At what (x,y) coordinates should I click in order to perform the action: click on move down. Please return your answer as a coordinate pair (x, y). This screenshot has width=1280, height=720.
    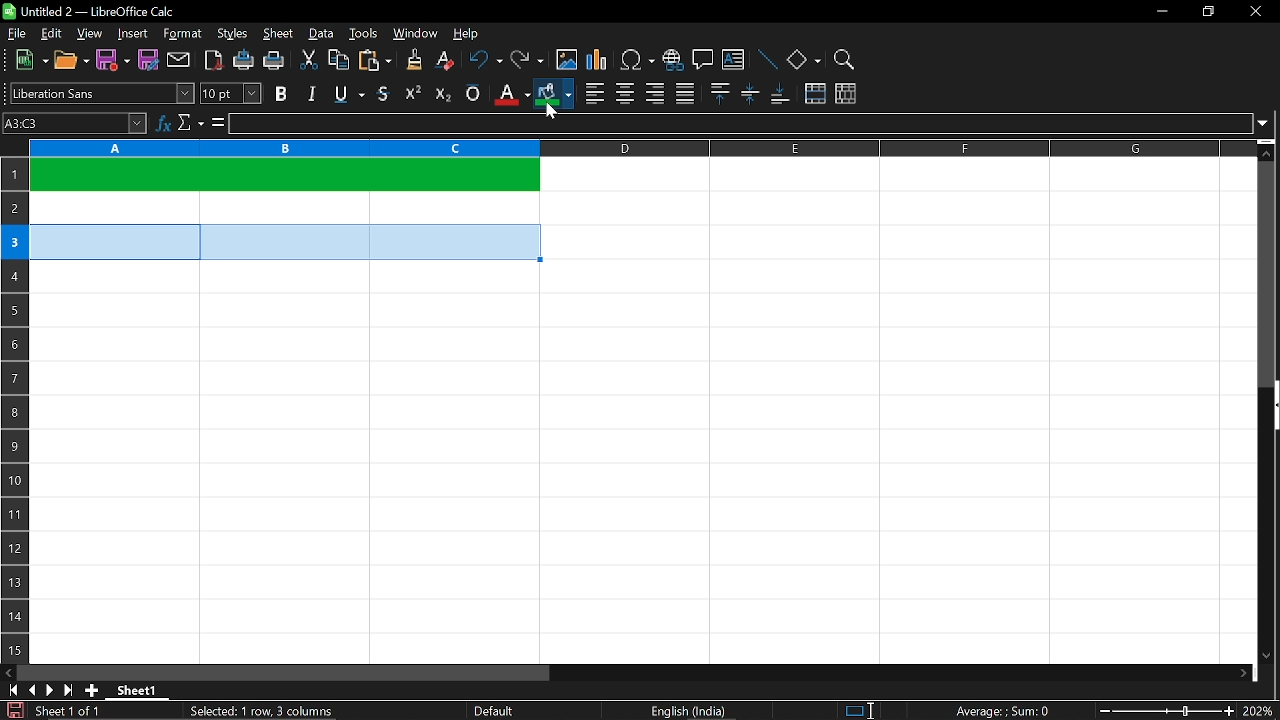
    Looking at the image, I should click on (1270, 657).